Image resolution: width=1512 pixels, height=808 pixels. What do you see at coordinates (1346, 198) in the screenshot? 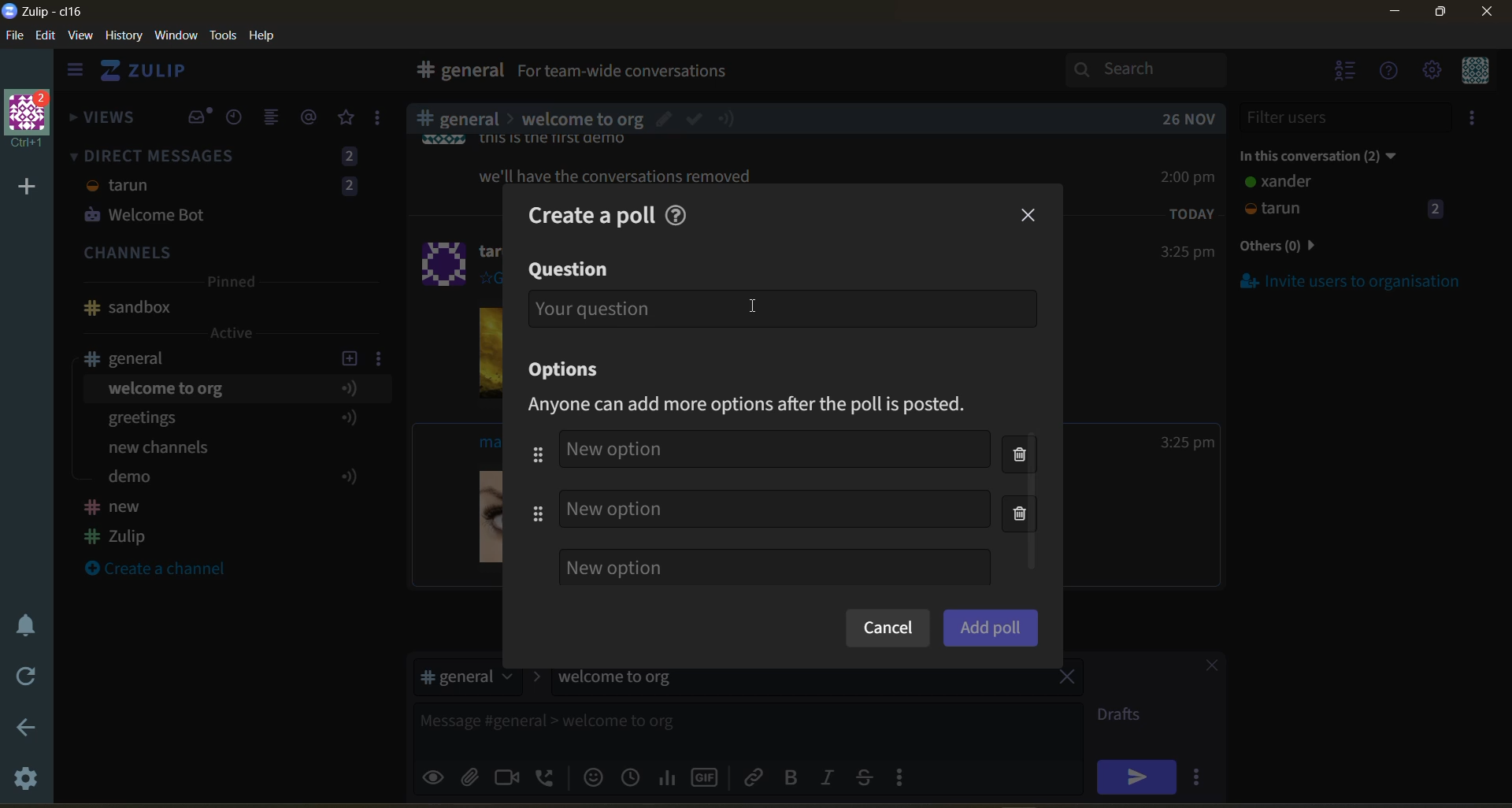
I see `users and status` at bounding box center [1346, 198].